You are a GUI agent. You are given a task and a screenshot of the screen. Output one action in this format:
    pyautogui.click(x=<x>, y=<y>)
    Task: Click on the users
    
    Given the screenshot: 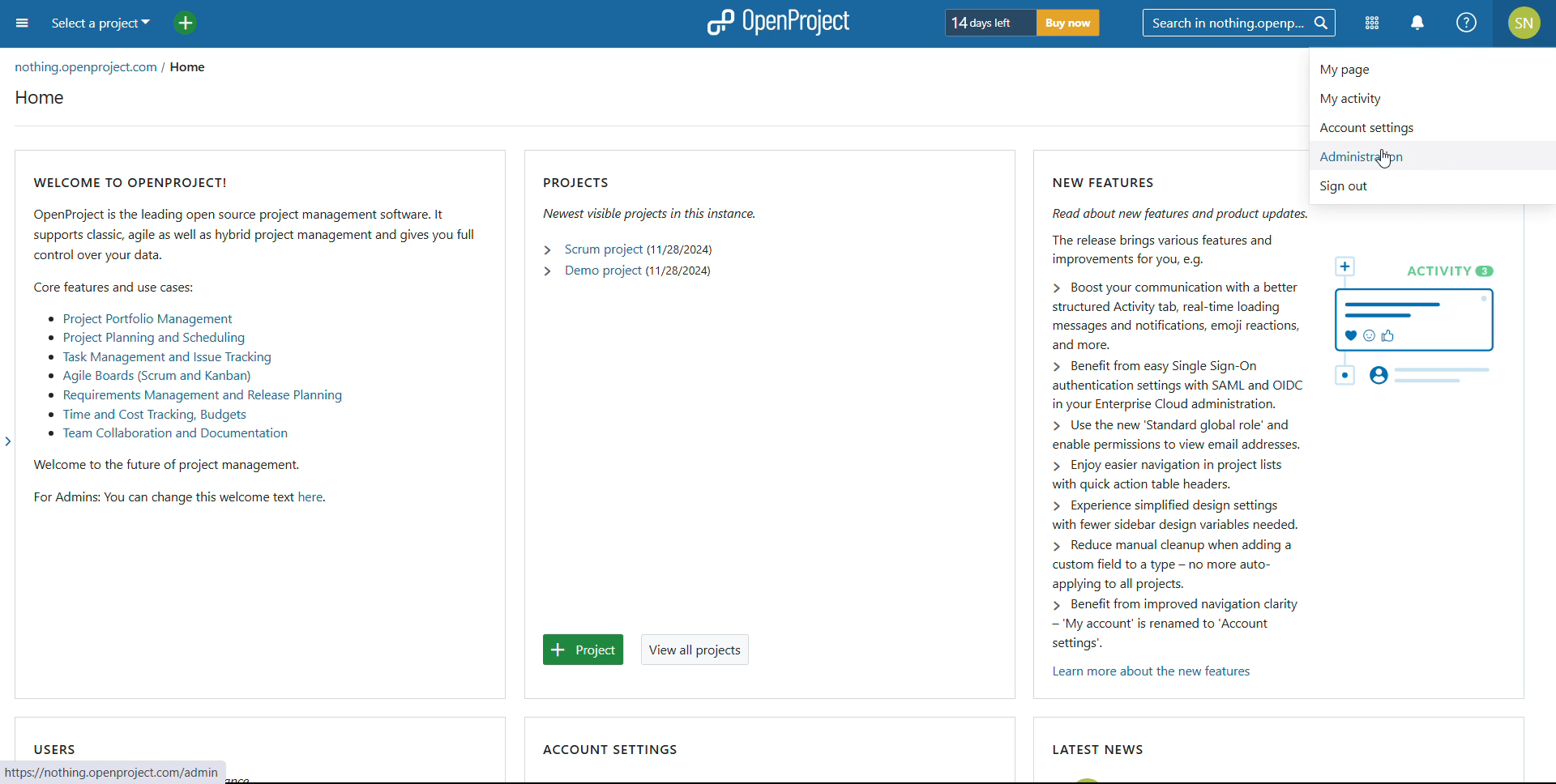 What is the action you would take?
    pyautogui.click(x=53, y=748)
    